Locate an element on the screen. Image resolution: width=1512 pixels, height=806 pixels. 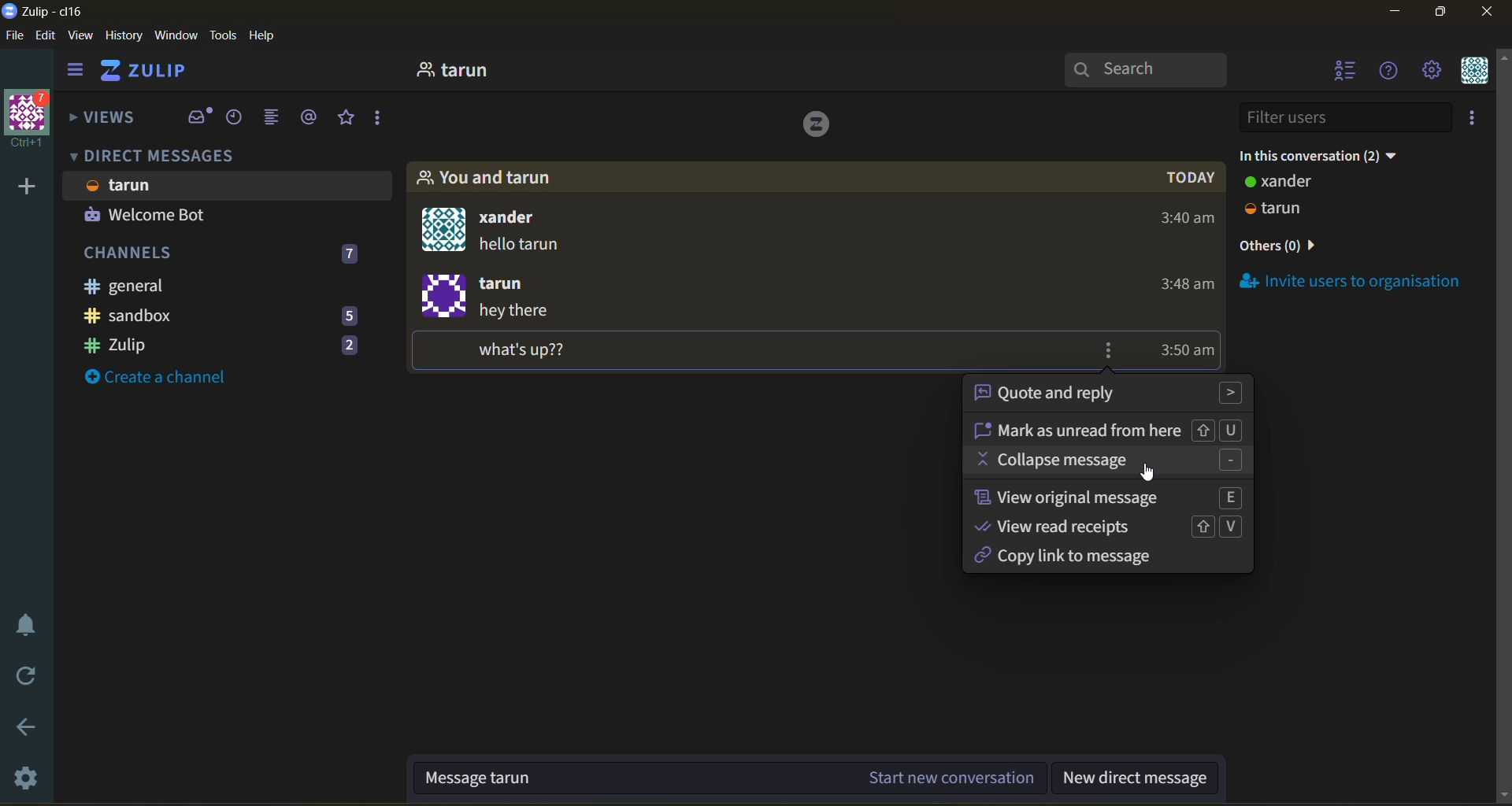
user name is located at coordinates (522, 219).